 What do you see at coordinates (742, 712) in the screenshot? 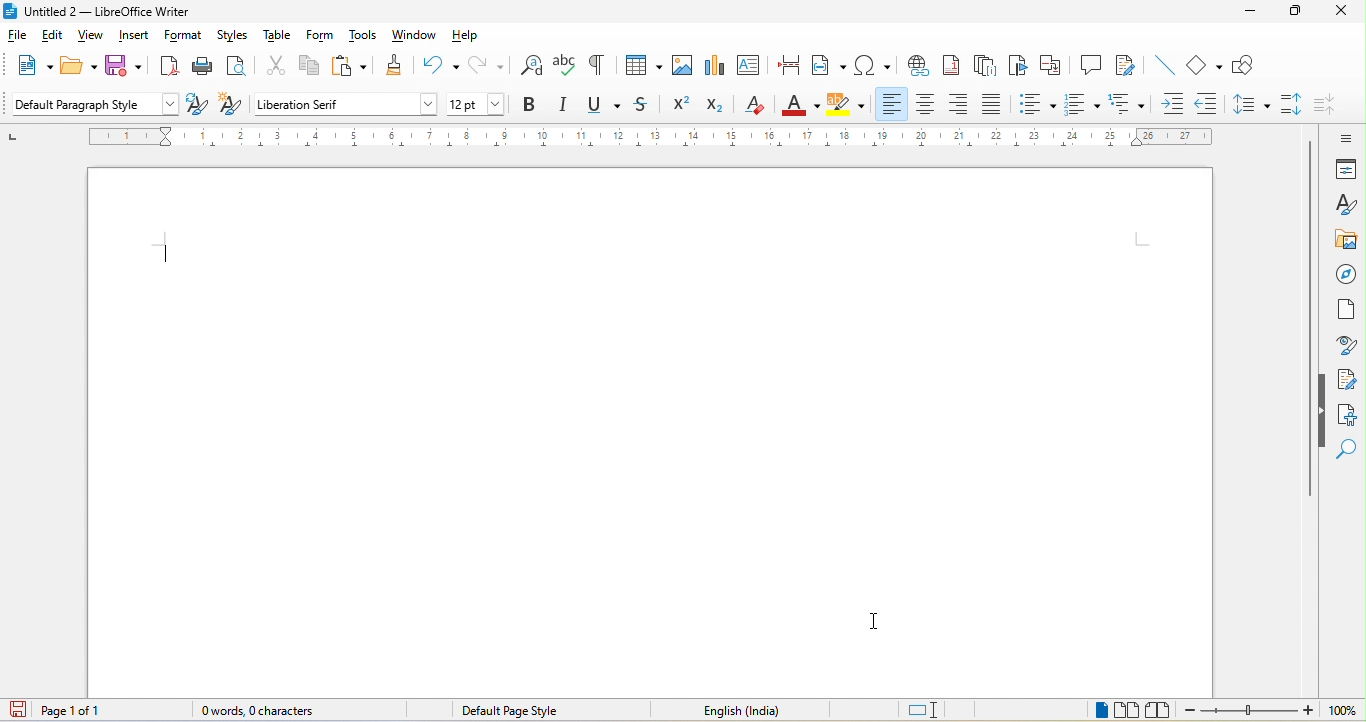
I see `English (India)` at bounding box center [742, 712].